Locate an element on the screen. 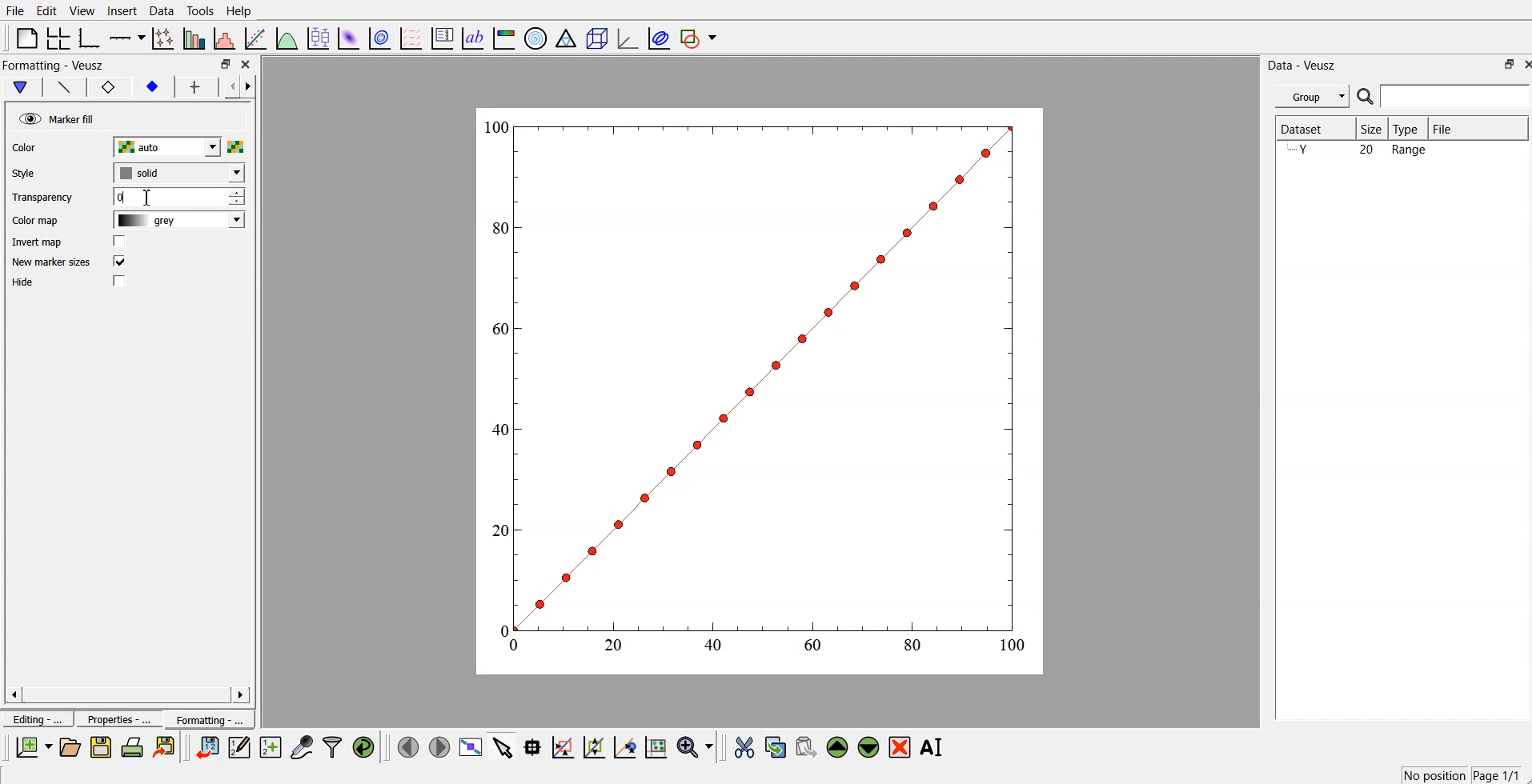 Image resolution: width=1532 pixels, height=784 pixels. Formatting is located at coordinates (208, 717).